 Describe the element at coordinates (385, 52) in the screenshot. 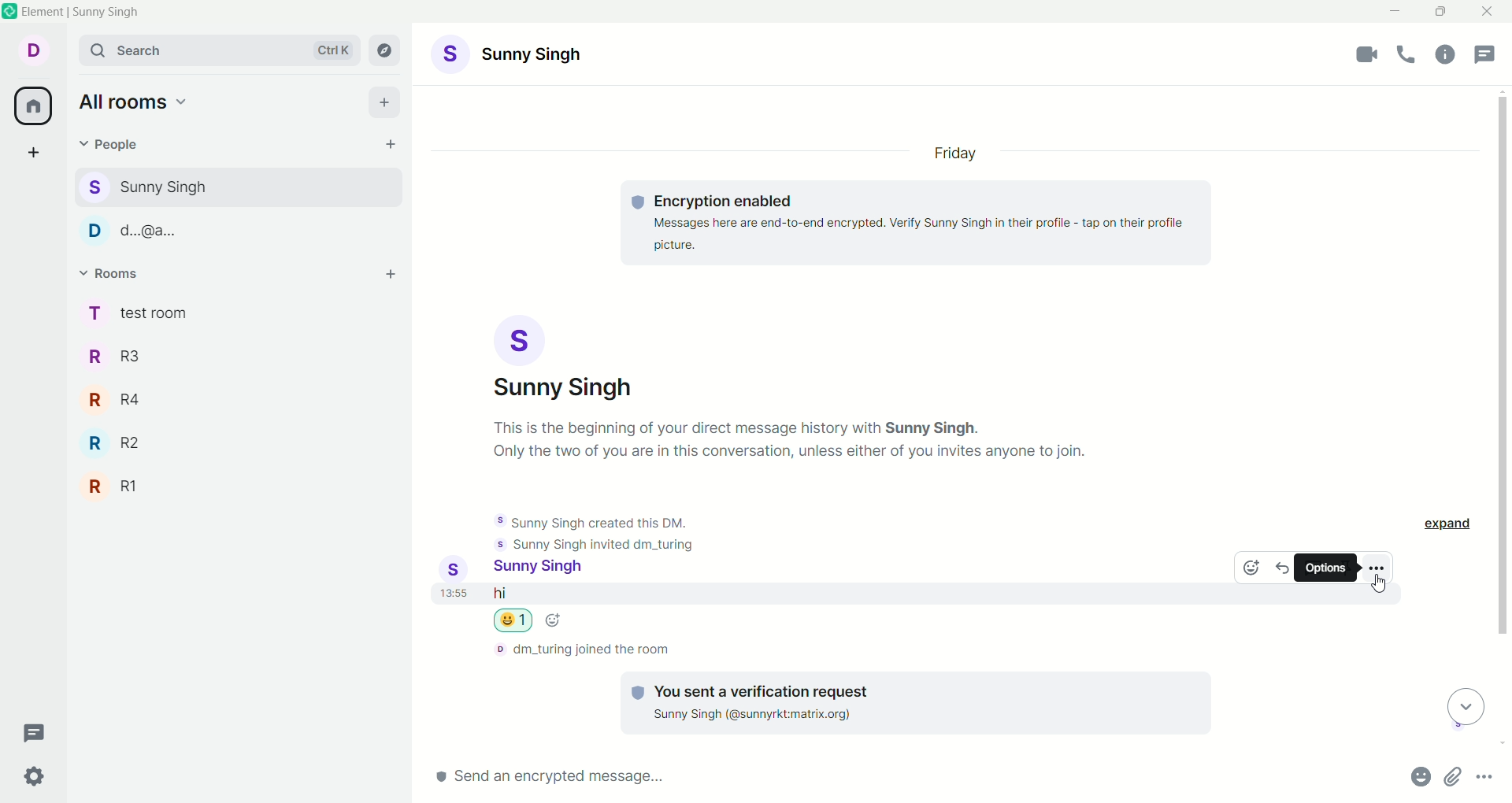

I see `explore rooms` at that location.